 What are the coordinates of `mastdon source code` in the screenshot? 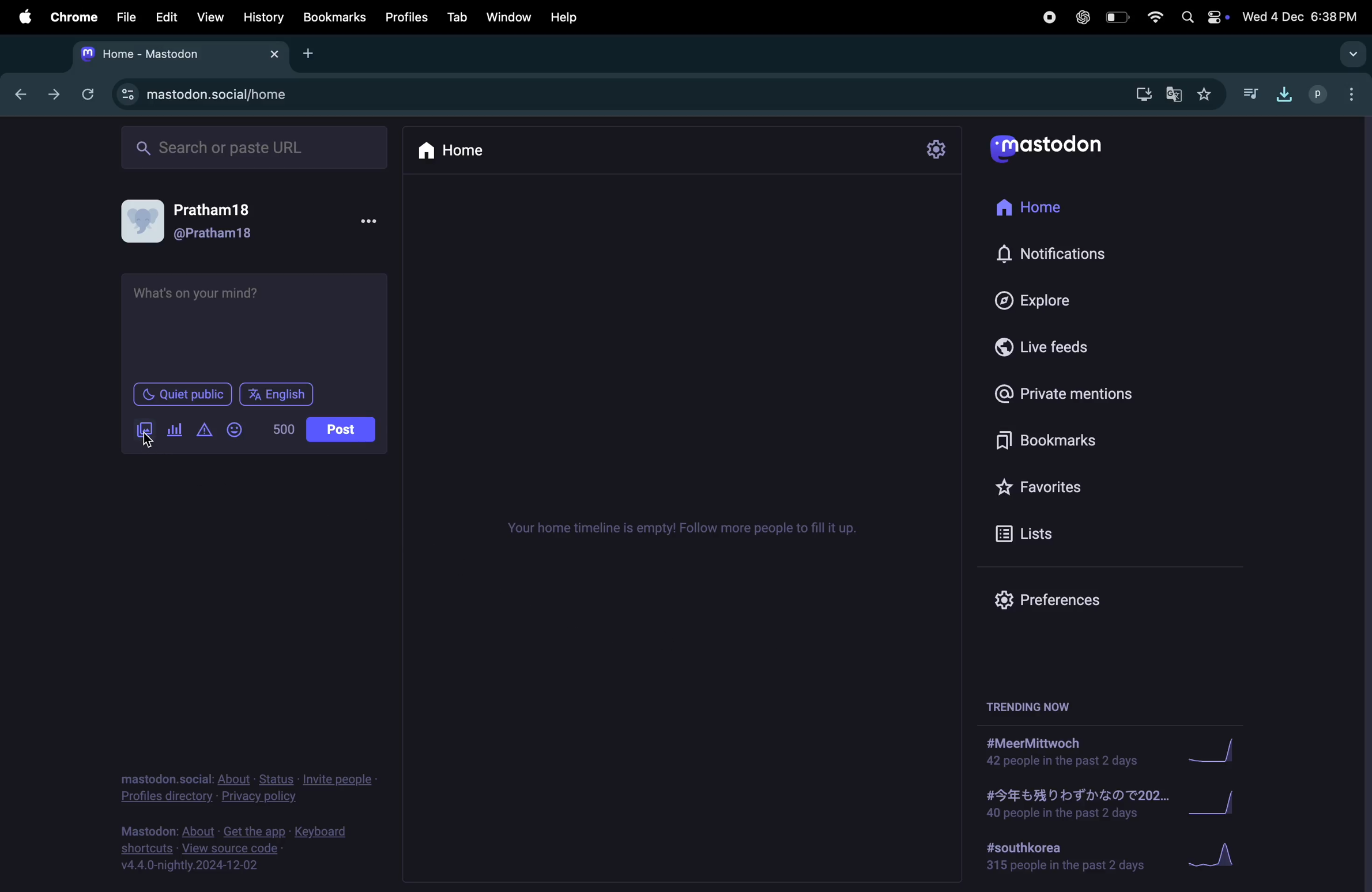 It's located at (240, 846).